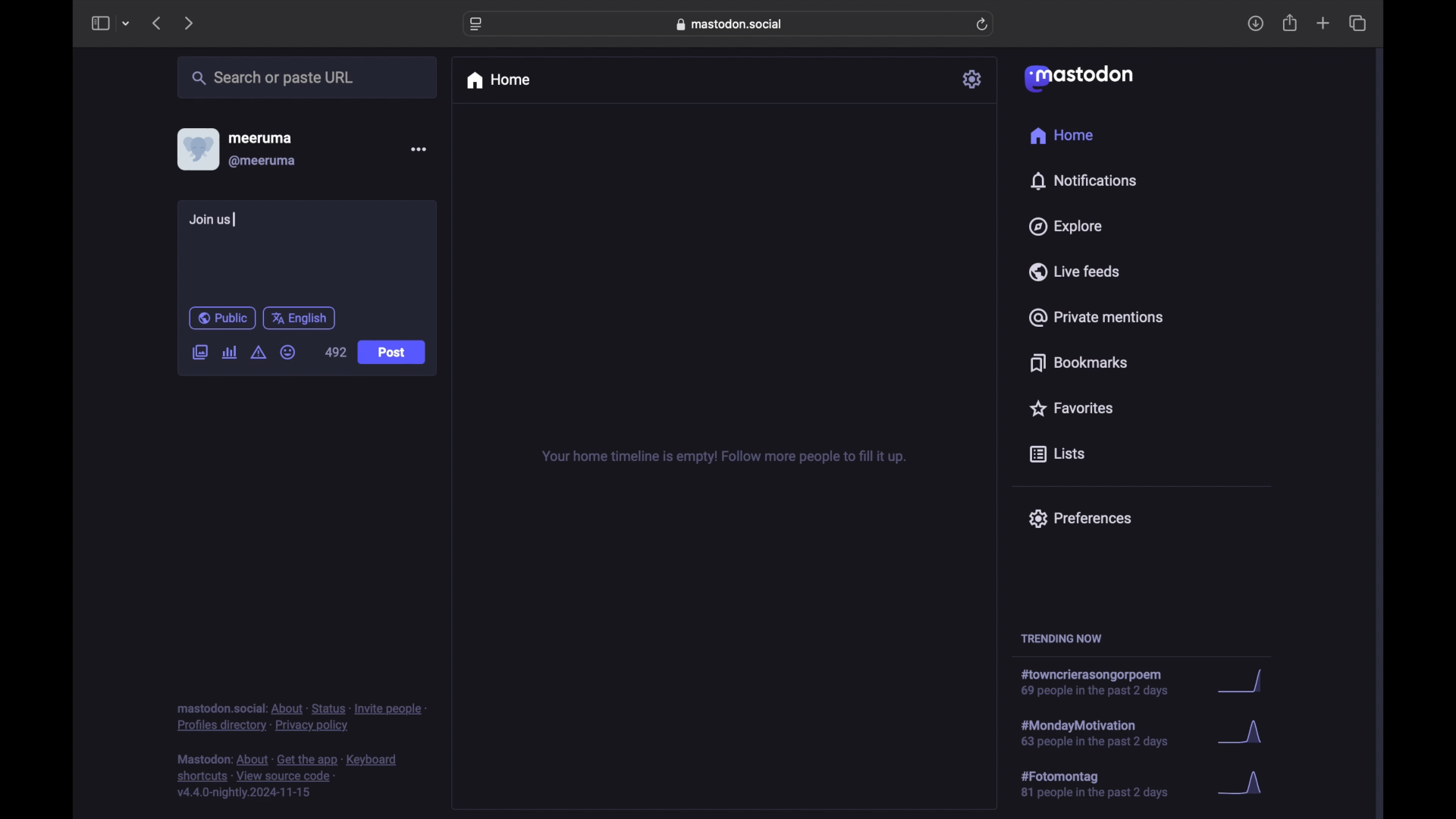 Image resolution: width=1456 pixels, height=819 pixels. I want to click on show tab overview, so click(1357, 24).